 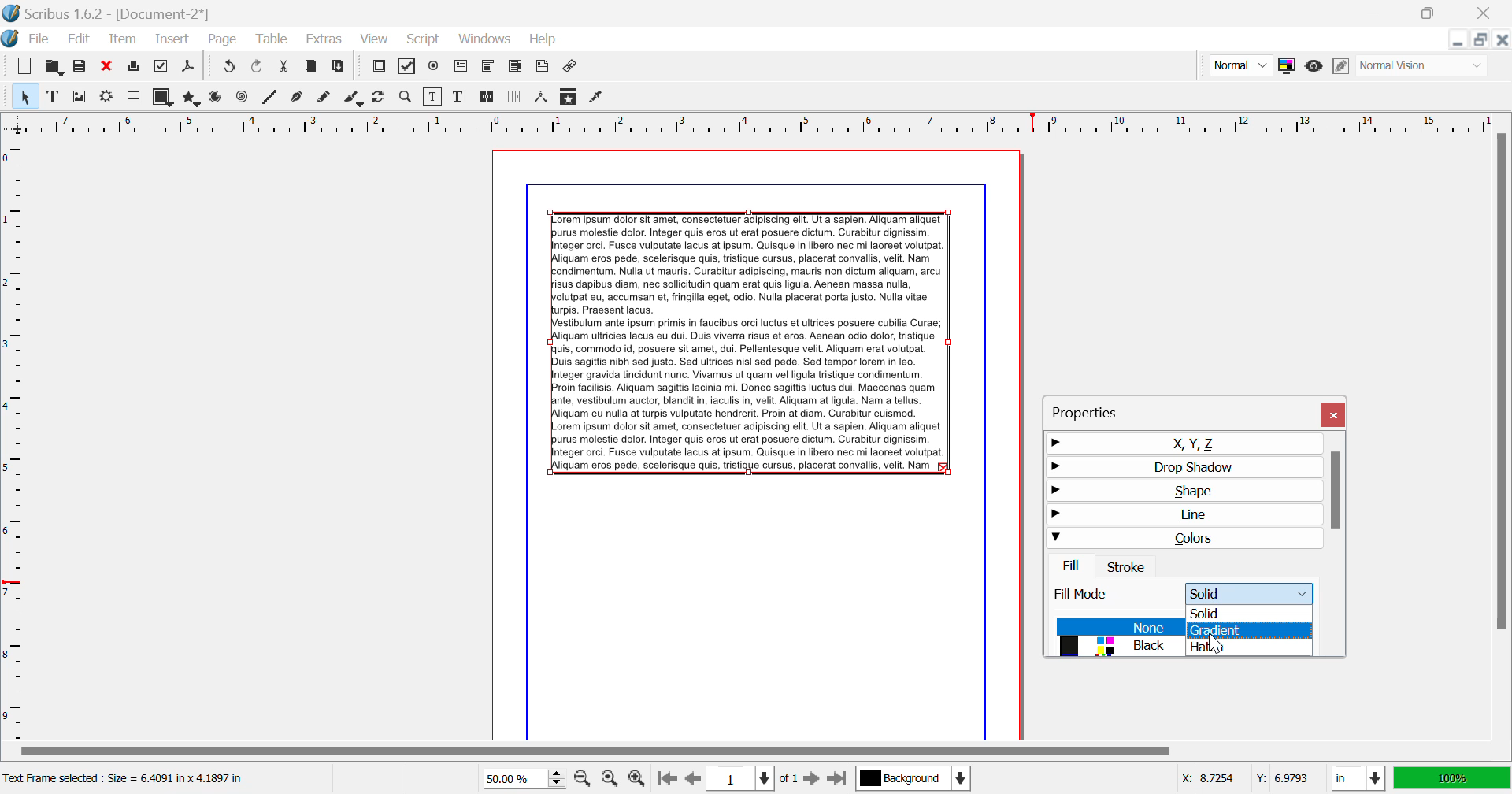 What do you see at coordinates (340, 69) in the screenshot?
I see `Paste` at bounding box center [340, 69].